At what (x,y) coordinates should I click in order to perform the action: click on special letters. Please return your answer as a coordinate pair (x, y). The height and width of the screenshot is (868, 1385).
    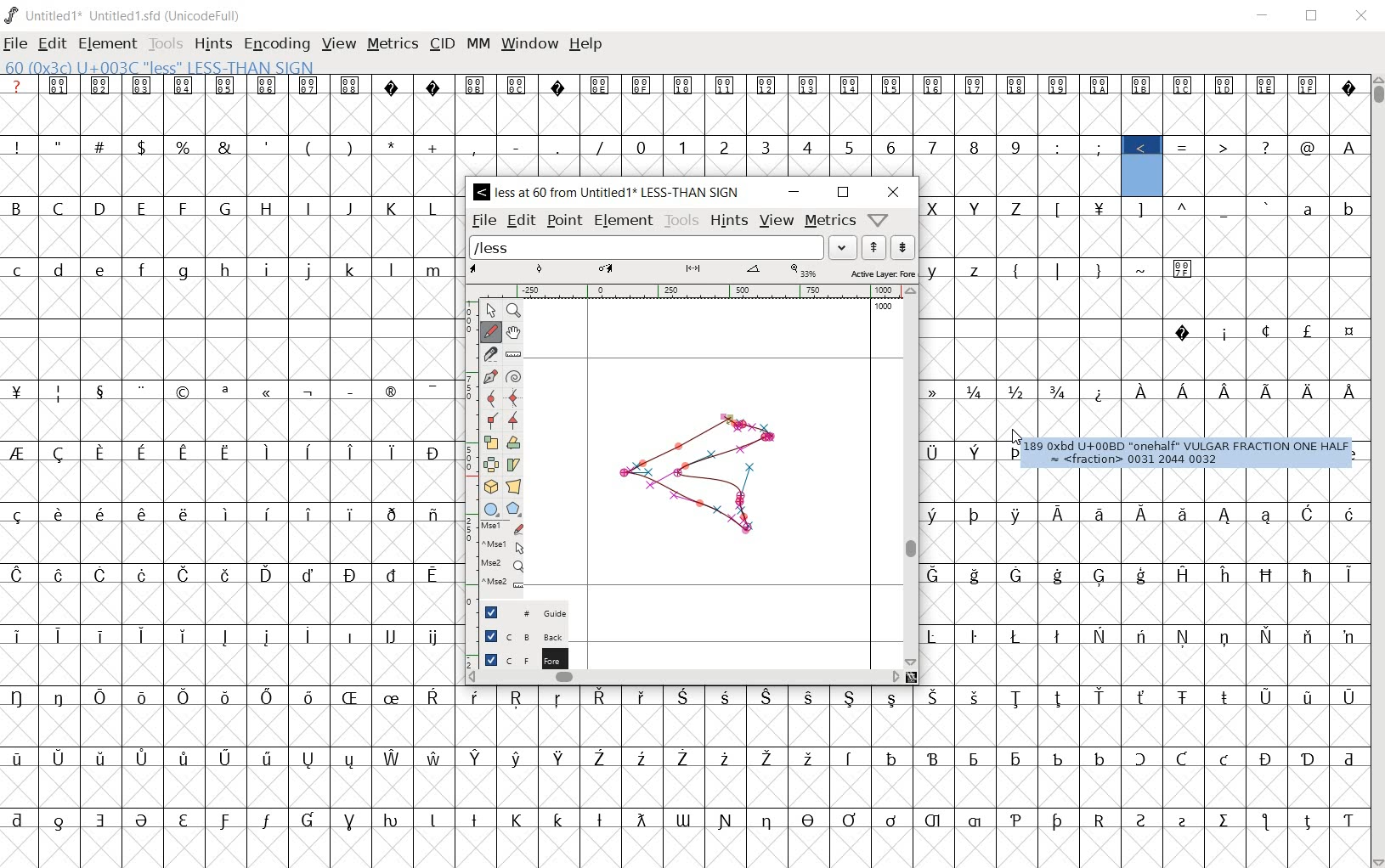
    Looking at the image, I should click on (1222, 391).